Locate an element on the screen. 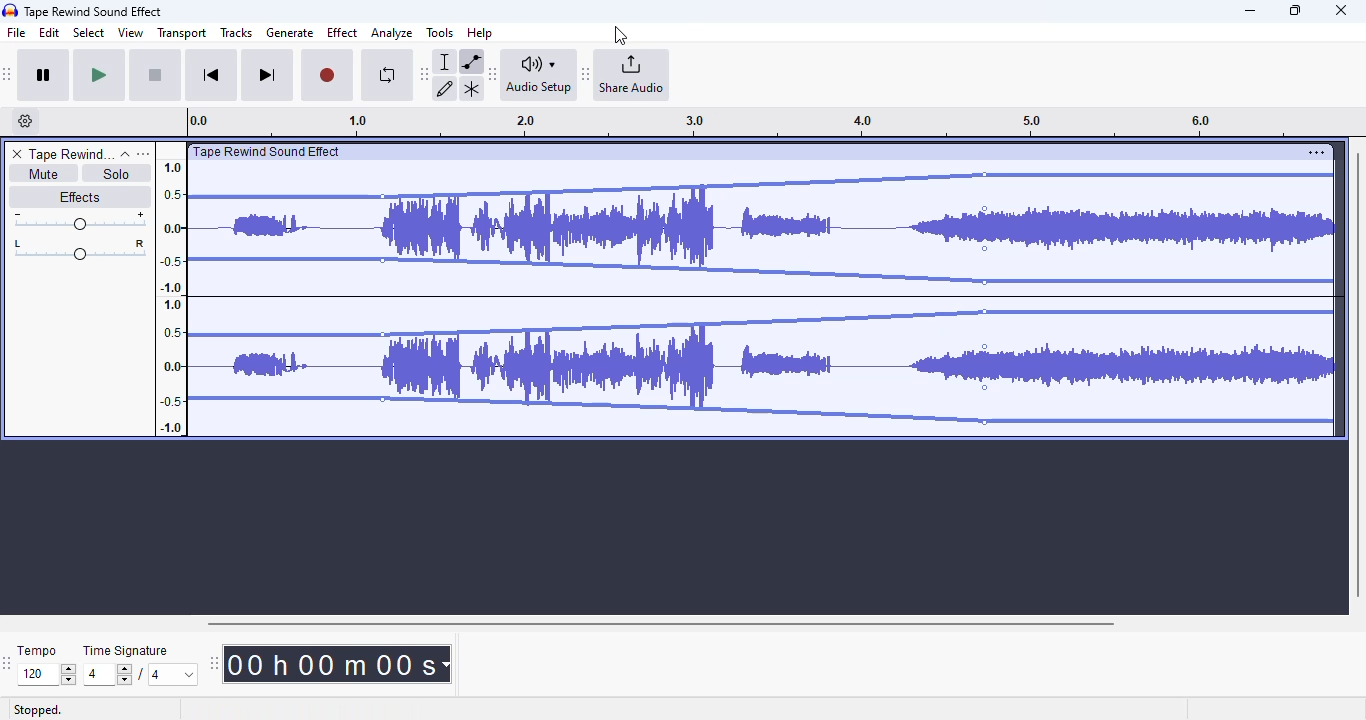 Image resolution: width=1366 pixels, height=720 pixels. Current track time is located at coordinates (329, 664).